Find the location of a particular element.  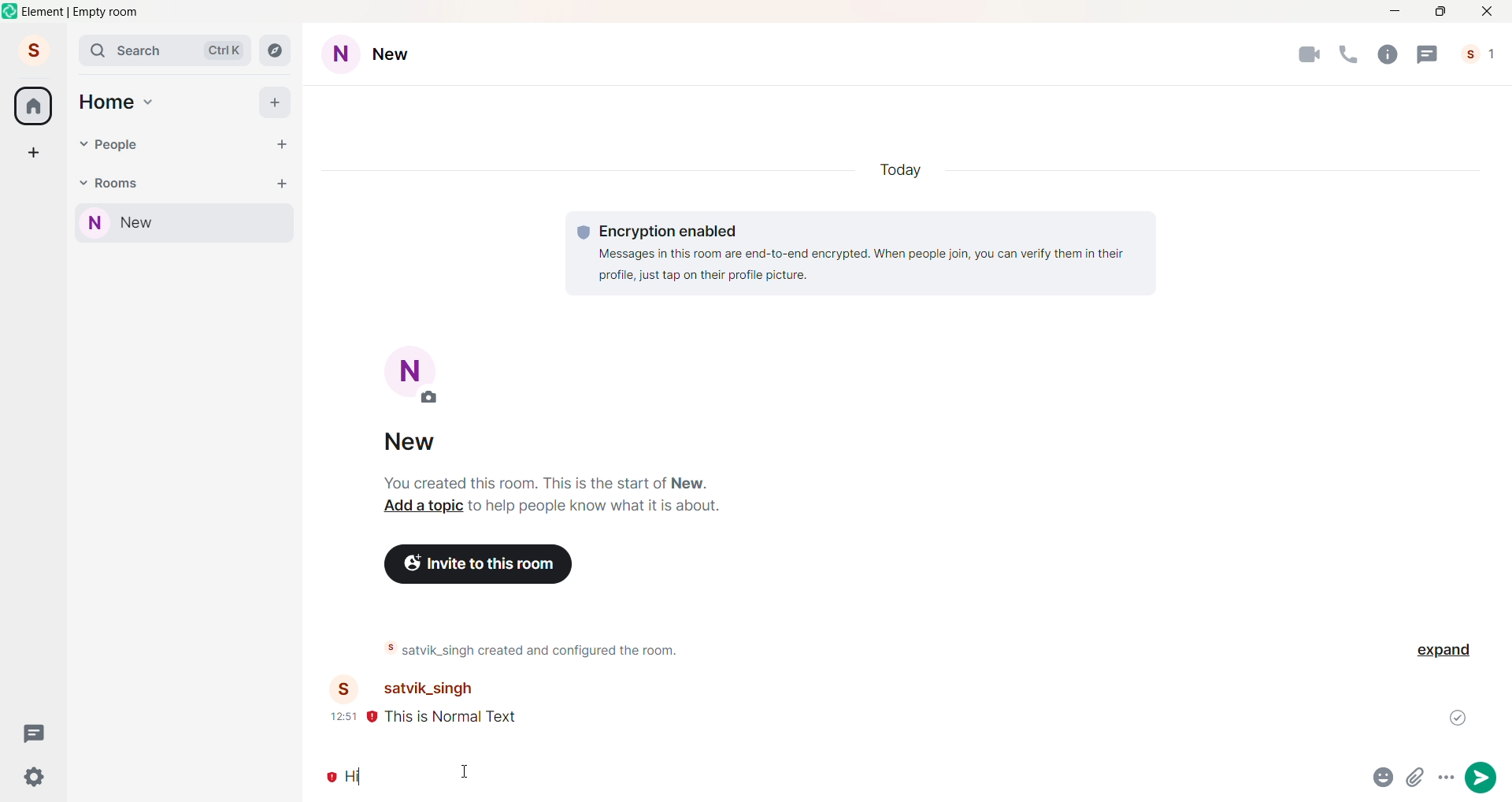

Not Encrypted is located at coordinates (372, 719).